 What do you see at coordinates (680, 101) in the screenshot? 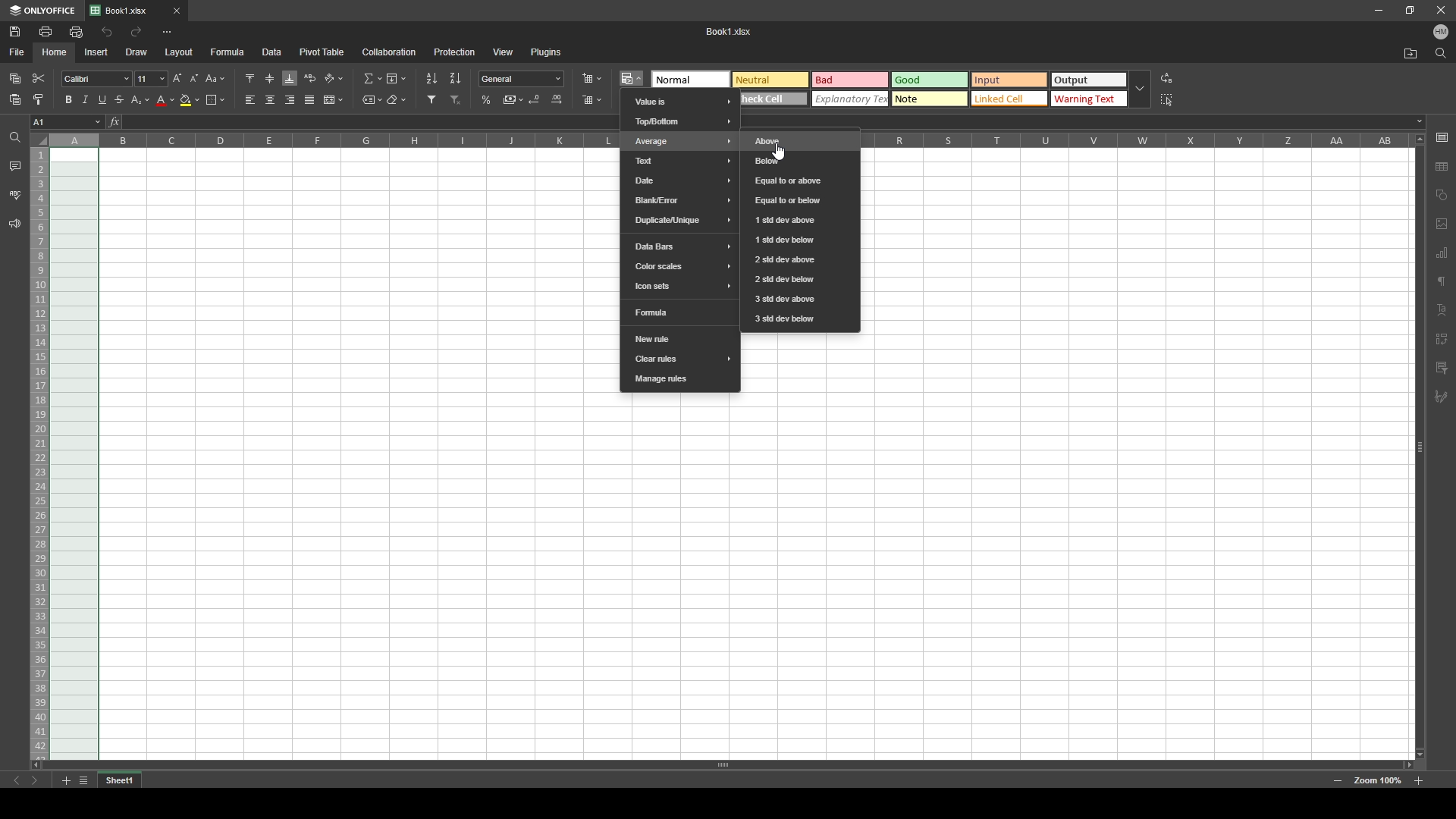
I see `value is` at bounding box center [680, 101].